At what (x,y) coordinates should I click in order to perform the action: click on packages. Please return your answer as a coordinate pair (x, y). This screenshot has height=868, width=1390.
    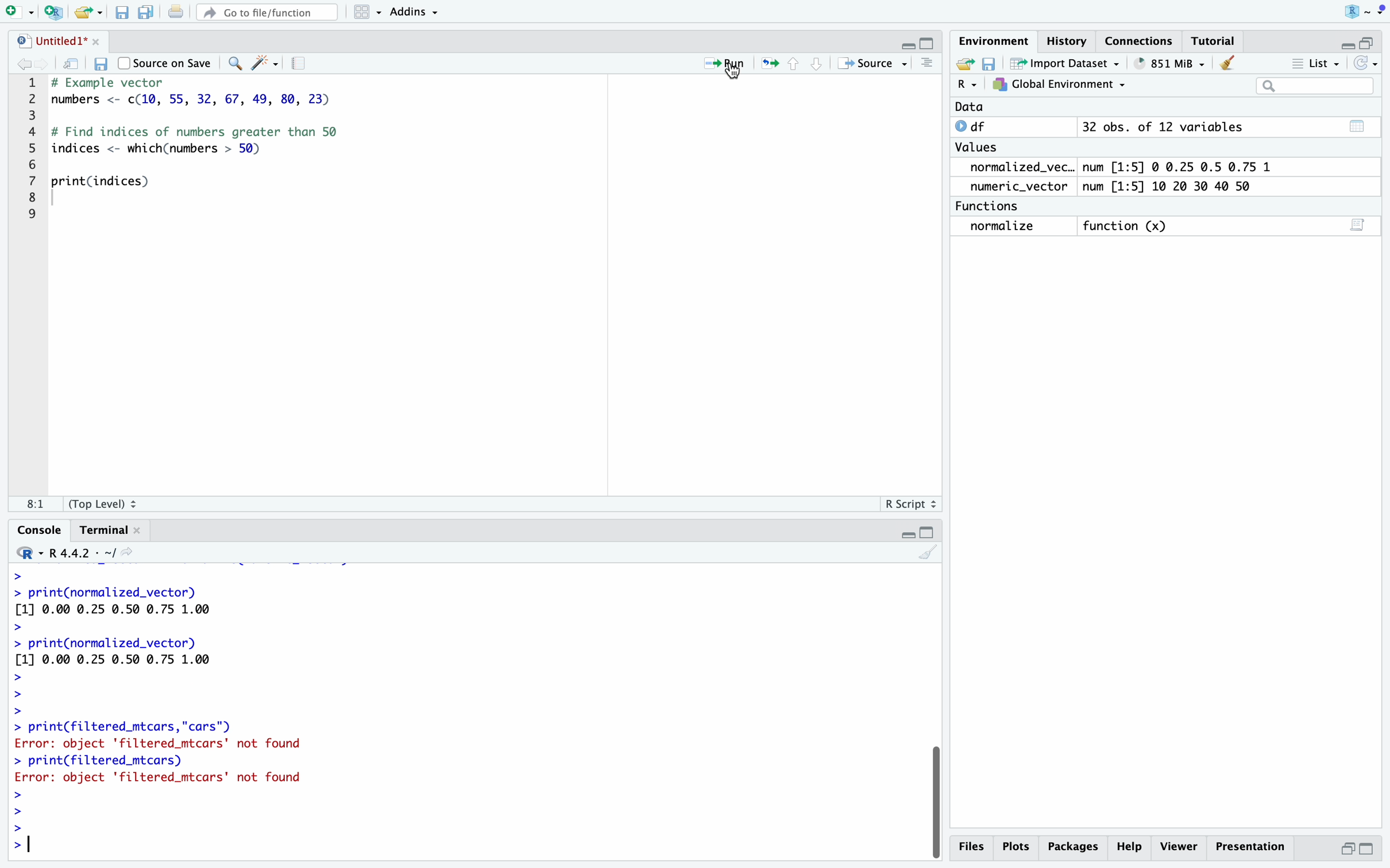
    Looking at the image, I should click on (1076, 844).